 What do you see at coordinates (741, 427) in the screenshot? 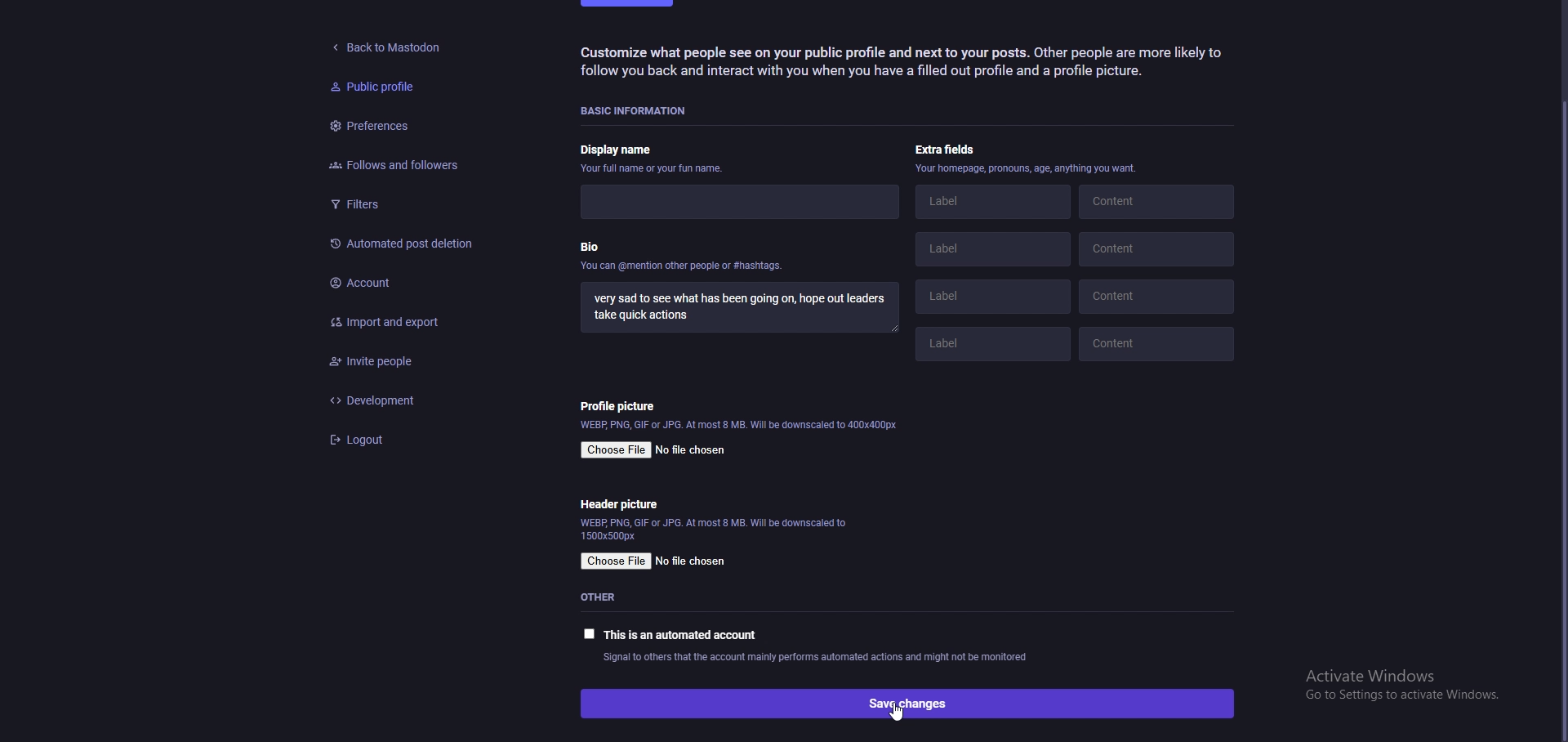
I see `info` at bounding box center [741, 427].